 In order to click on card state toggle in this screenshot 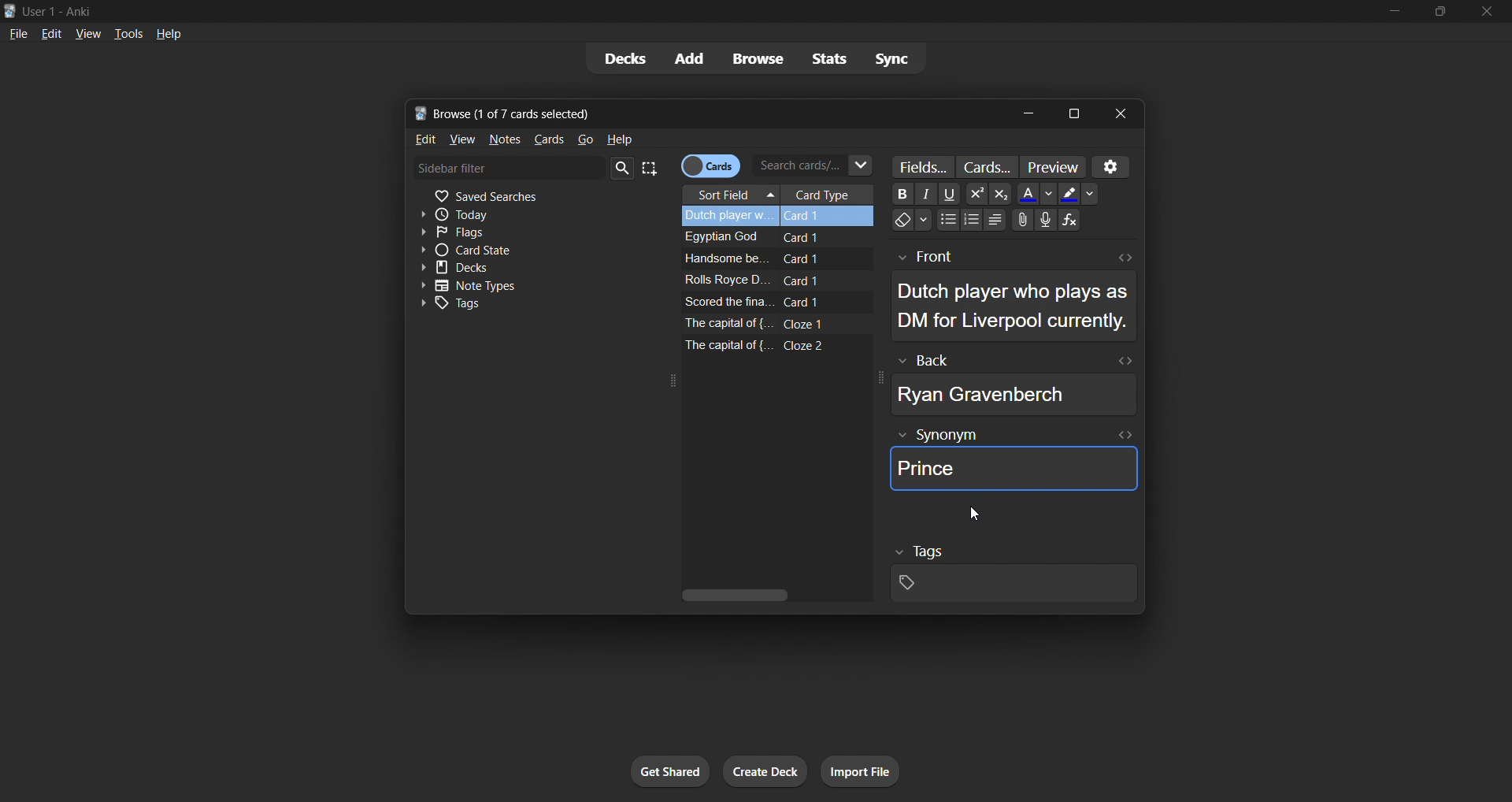, I will do `click(510, 250)`.